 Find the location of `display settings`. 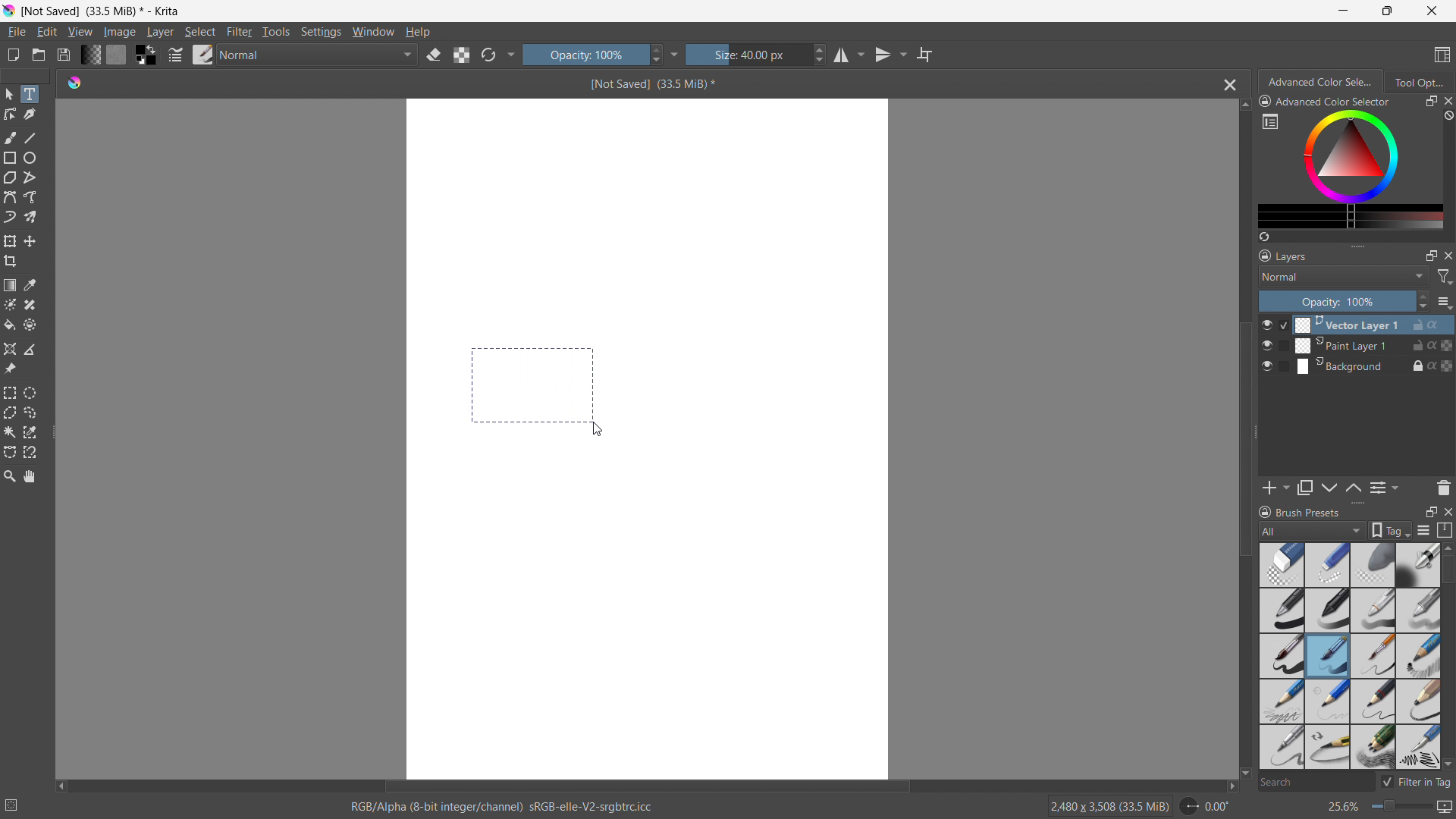

display settings is located at coordinates (1423, 530).